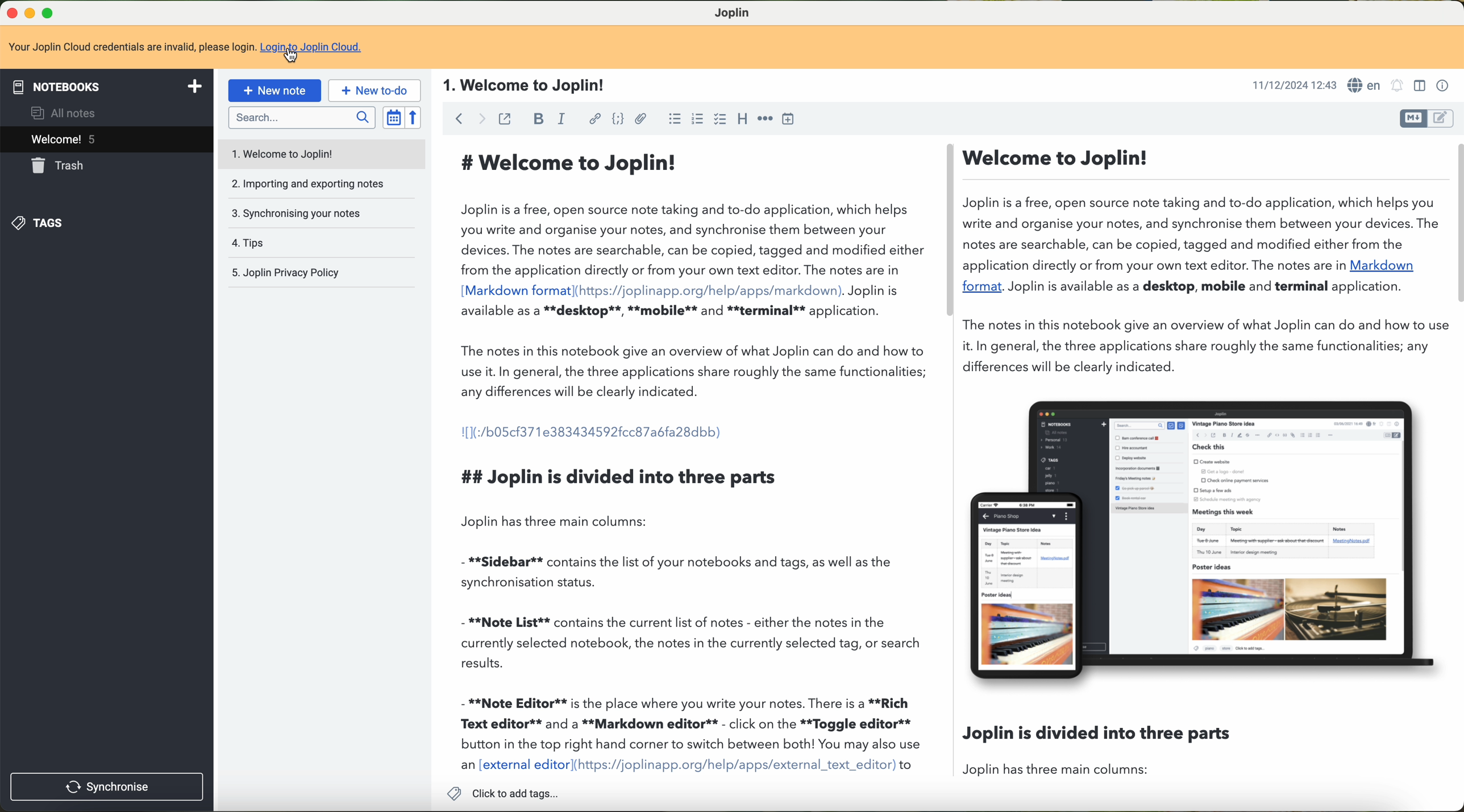  Describe the element at coordinates (393, 118) in the screenshot. I see `toggle sort order field` at that location.